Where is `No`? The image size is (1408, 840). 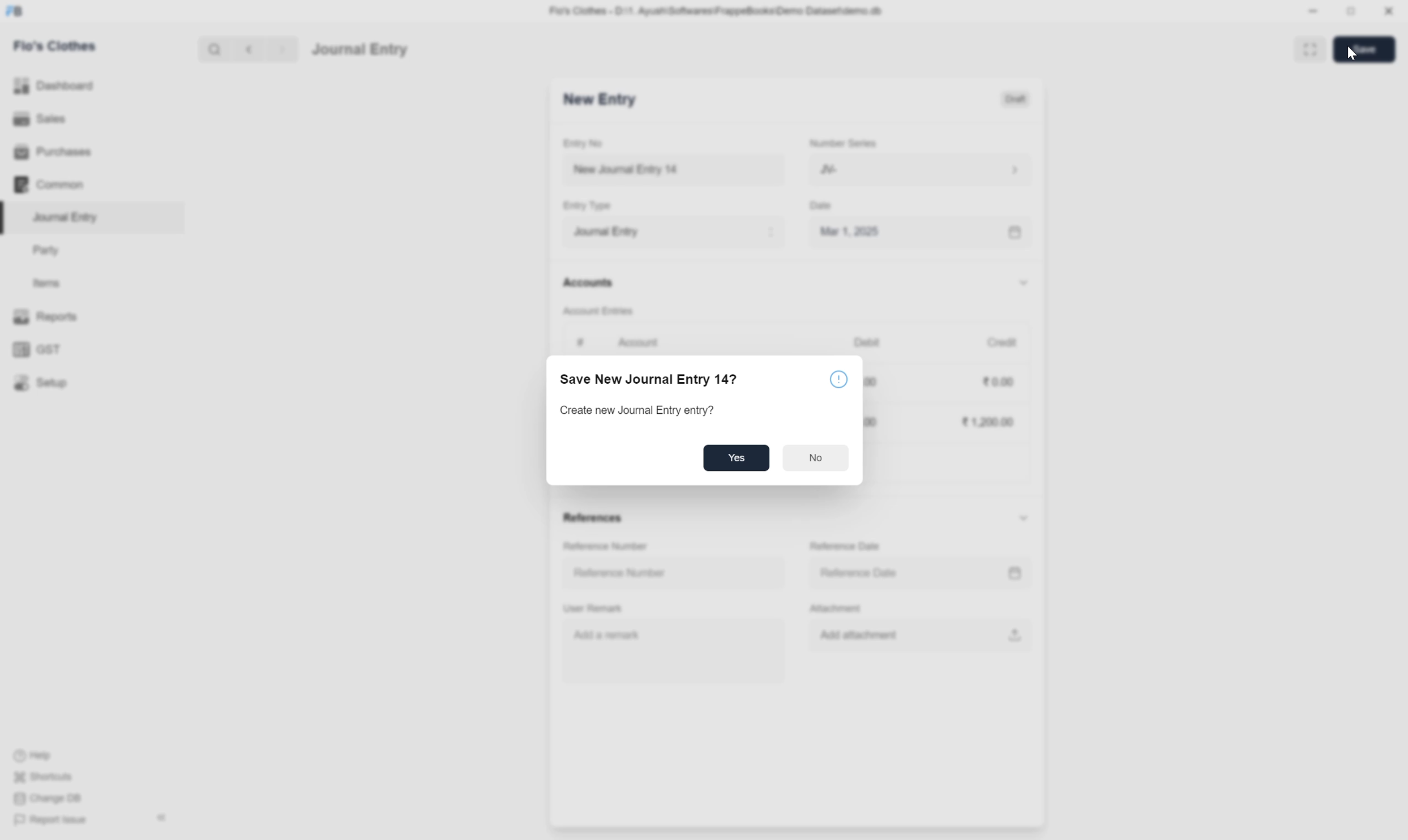
No is located at coordinates (814, 457).